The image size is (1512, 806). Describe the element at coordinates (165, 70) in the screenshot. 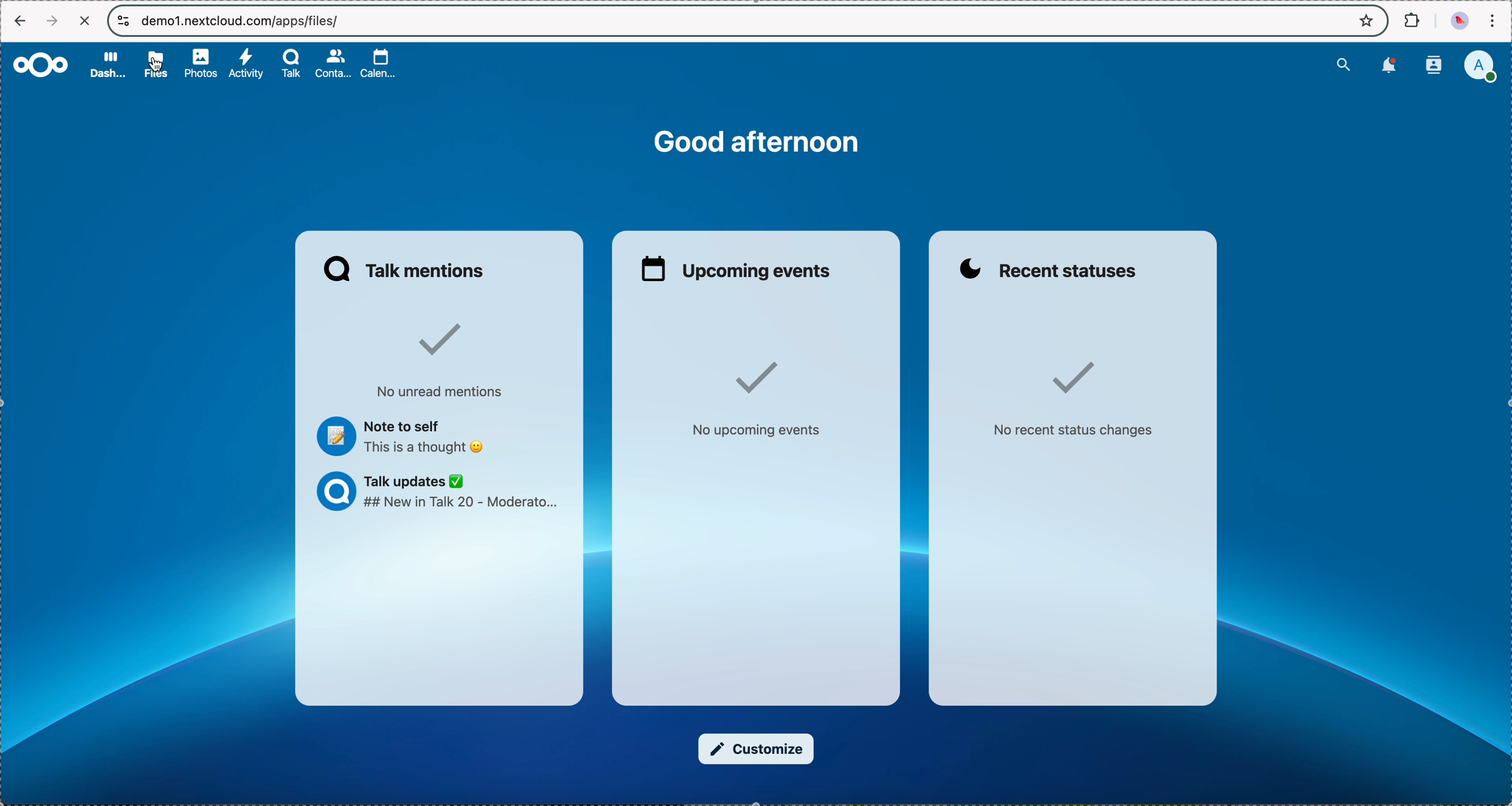

I see `cursor` at that location.